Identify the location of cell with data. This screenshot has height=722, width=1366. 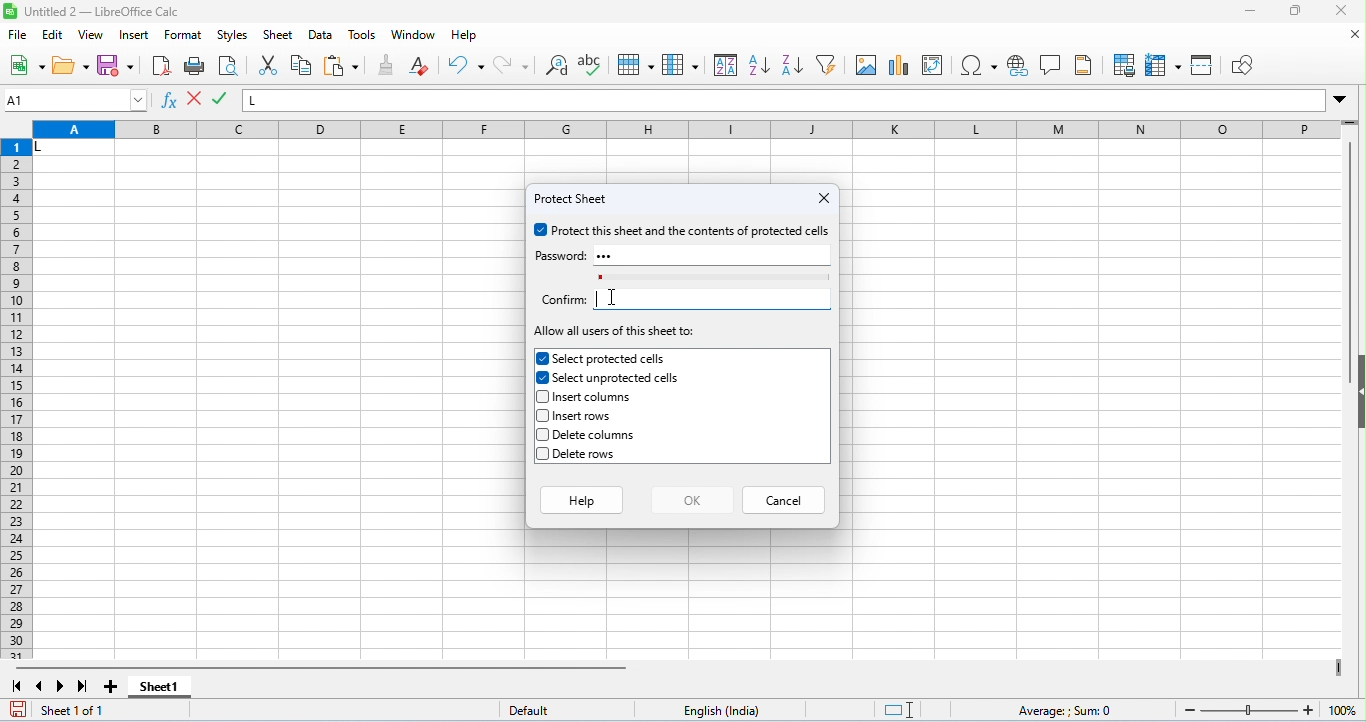
(73, 149).